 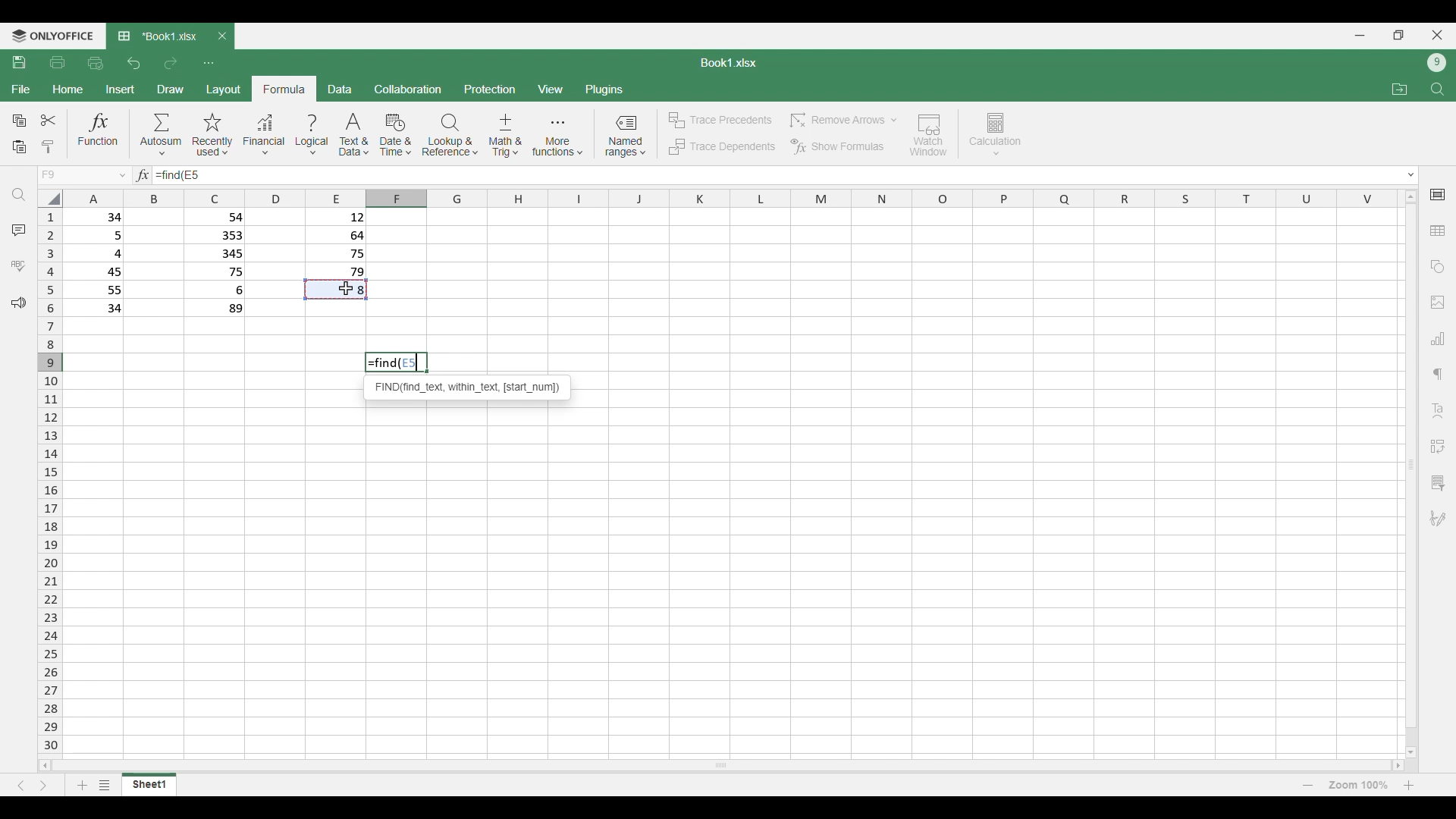 I want to click on Current sheet, so click(x=149, y=784).